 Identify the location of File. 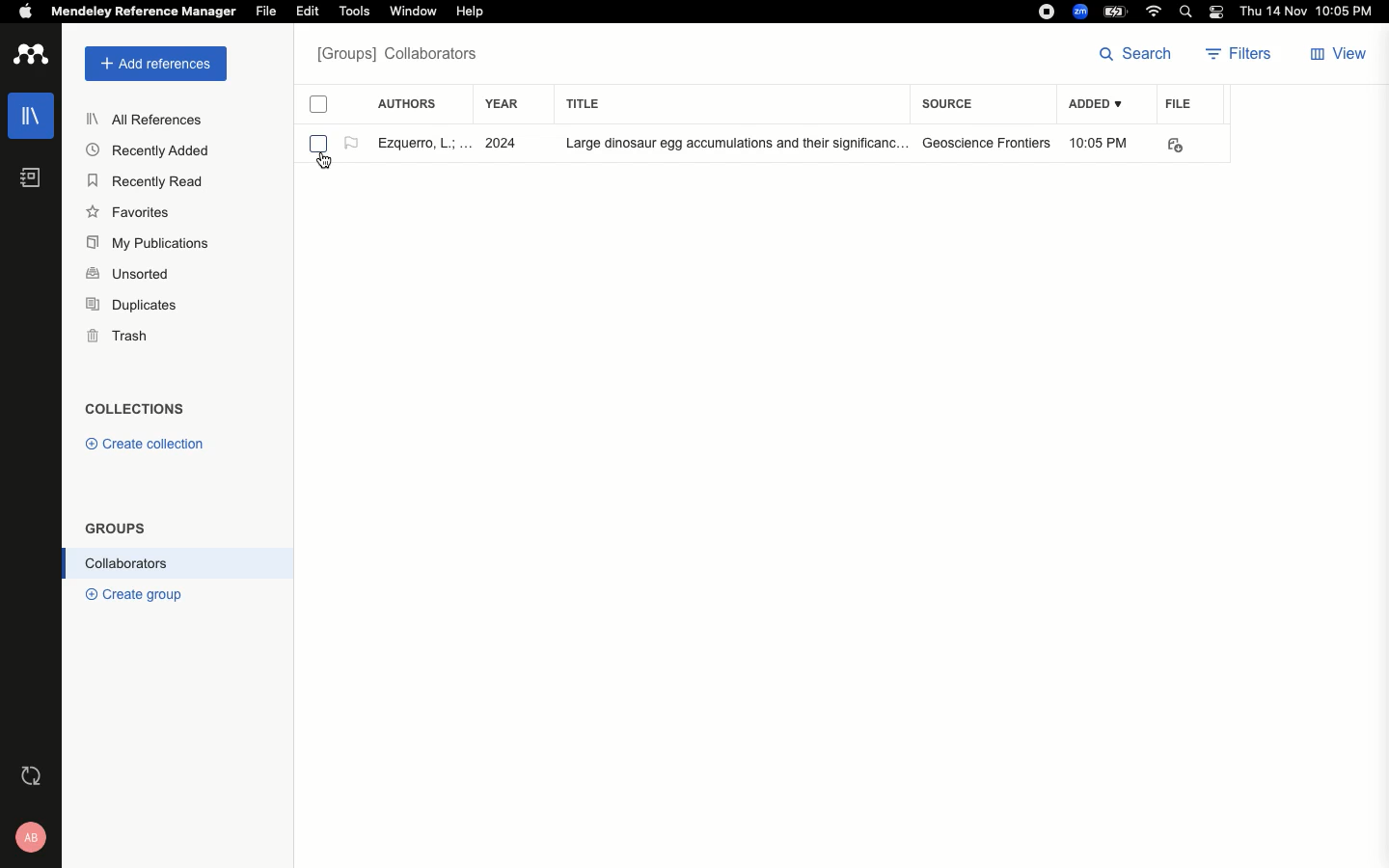
(266, 12).